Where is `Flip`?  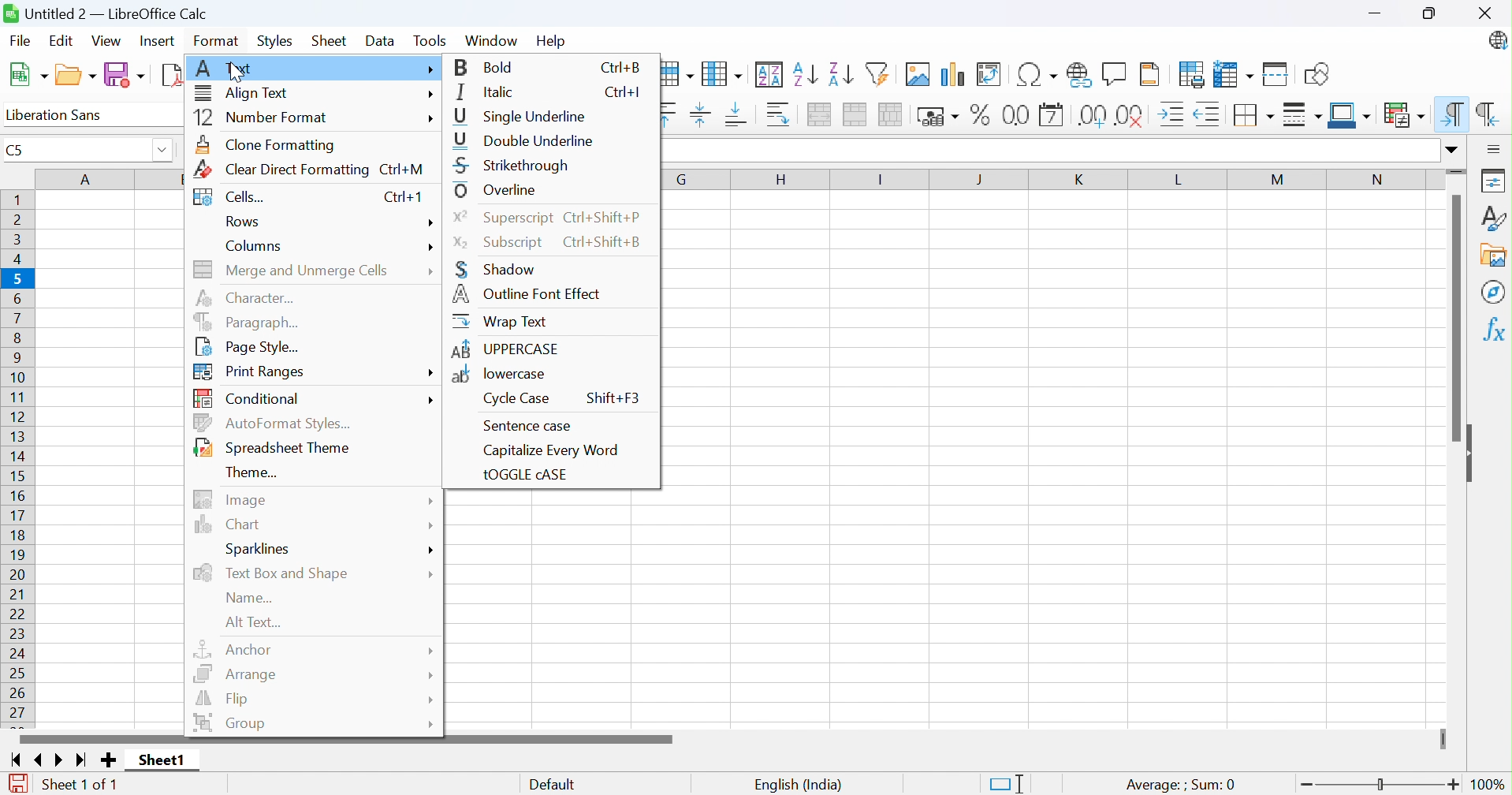
Flip is located at coordinates (228, 700).